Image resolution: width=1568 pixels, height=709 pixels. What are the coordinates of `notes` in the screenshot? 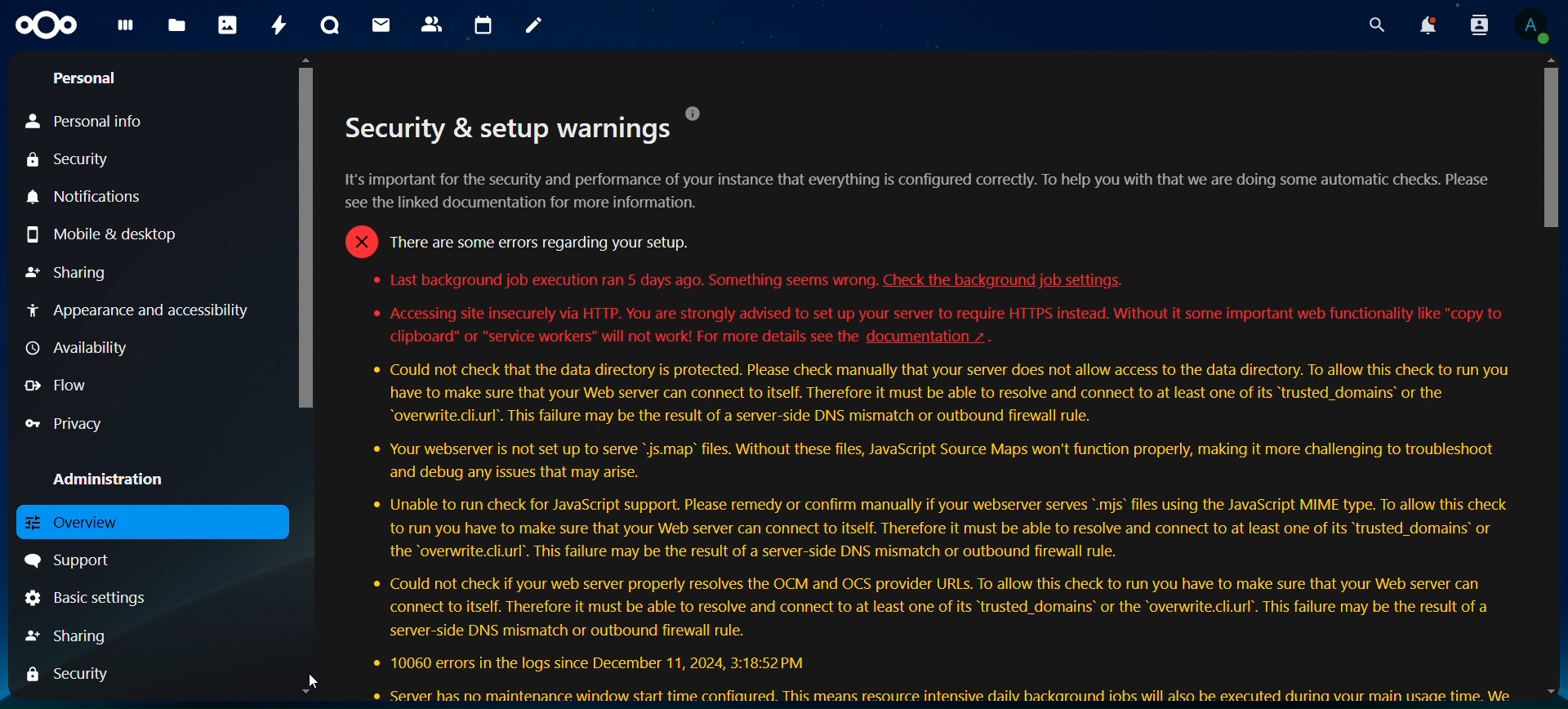 It's located at (537, 26).